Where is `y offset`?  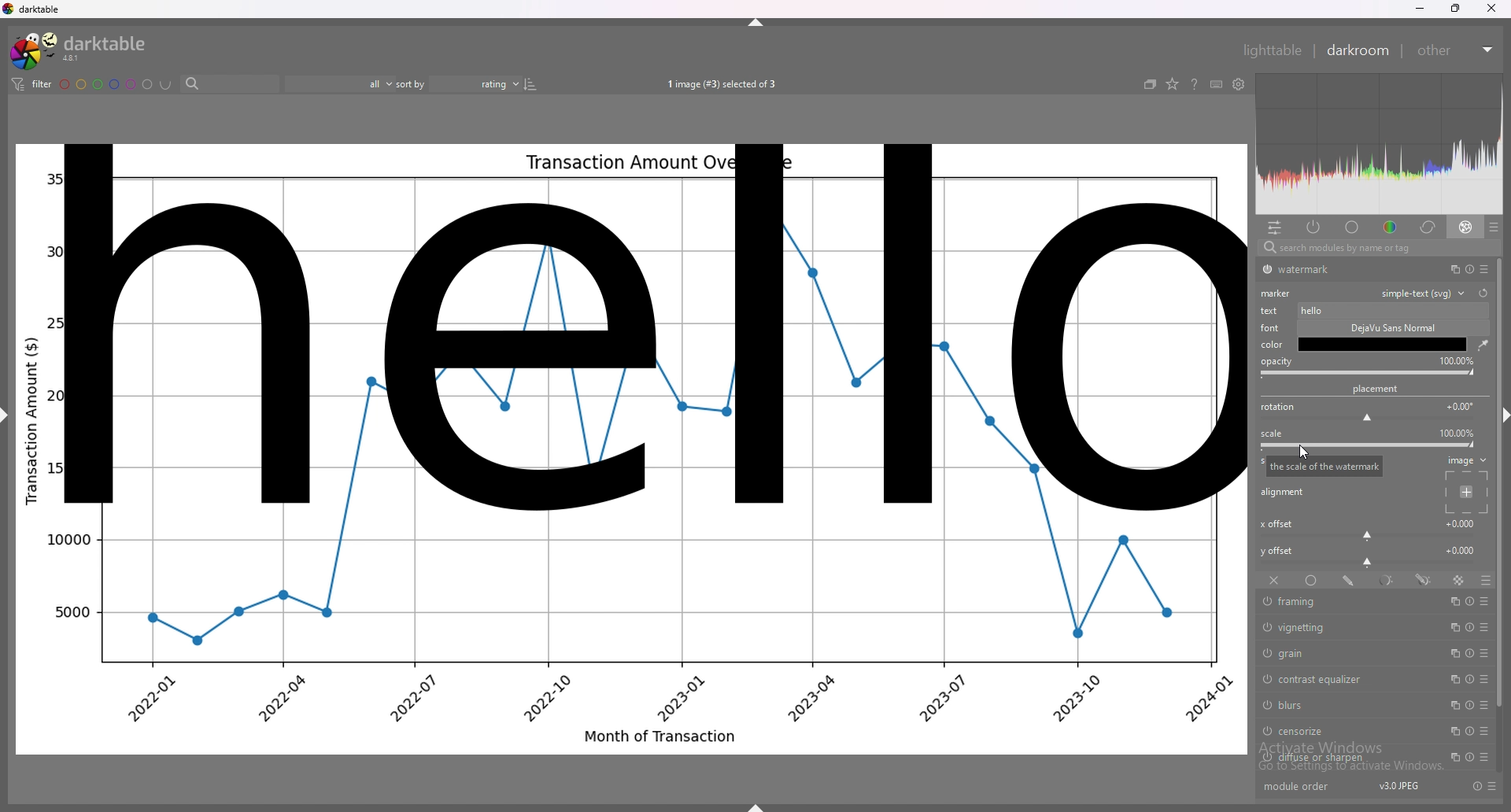 y offset is located at coordinates (1279, 551).